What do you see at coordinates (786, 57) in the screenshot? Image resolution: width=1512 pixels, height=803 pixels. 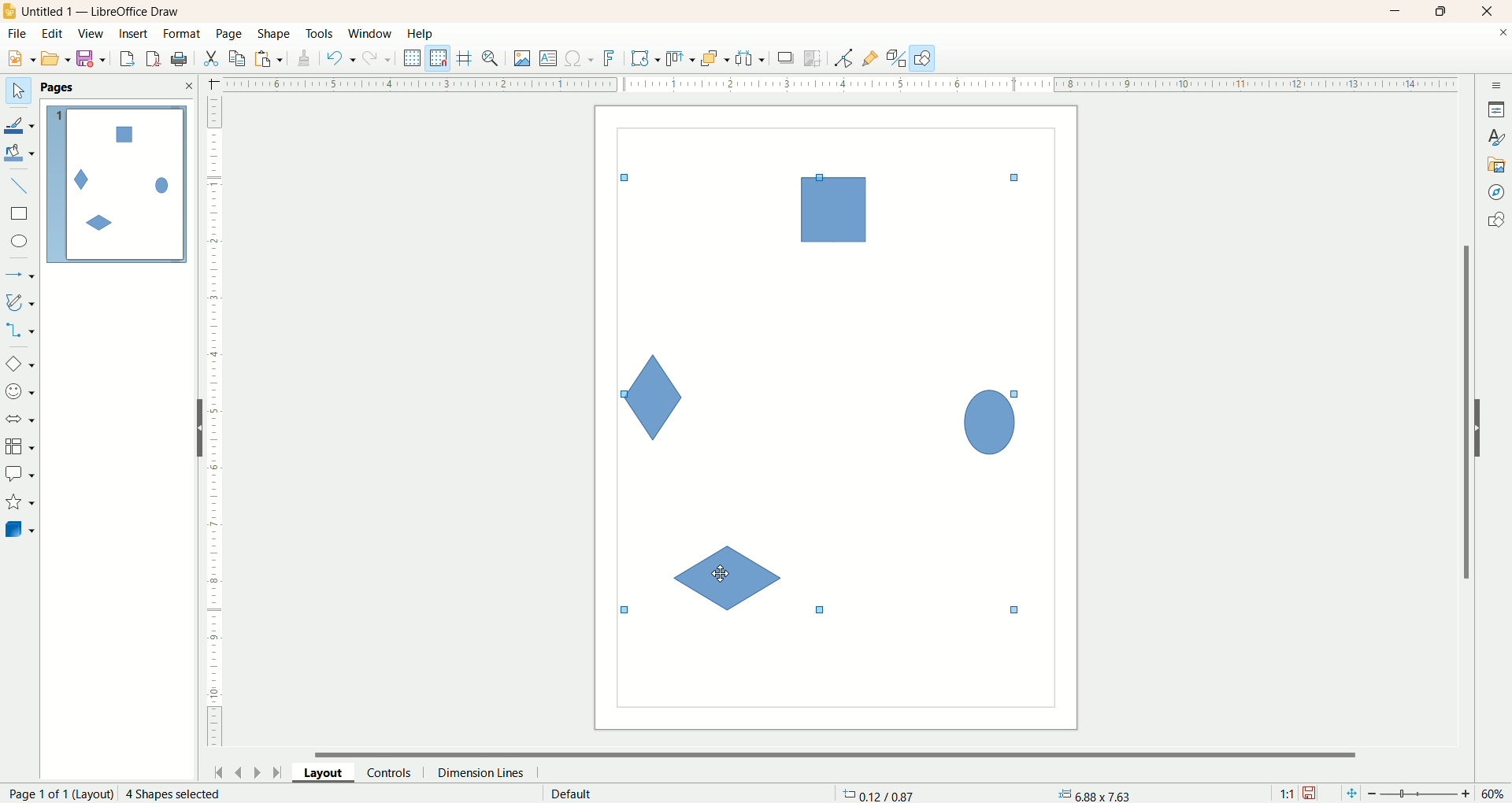 I see `shadow` at bounding box center [786, 57].